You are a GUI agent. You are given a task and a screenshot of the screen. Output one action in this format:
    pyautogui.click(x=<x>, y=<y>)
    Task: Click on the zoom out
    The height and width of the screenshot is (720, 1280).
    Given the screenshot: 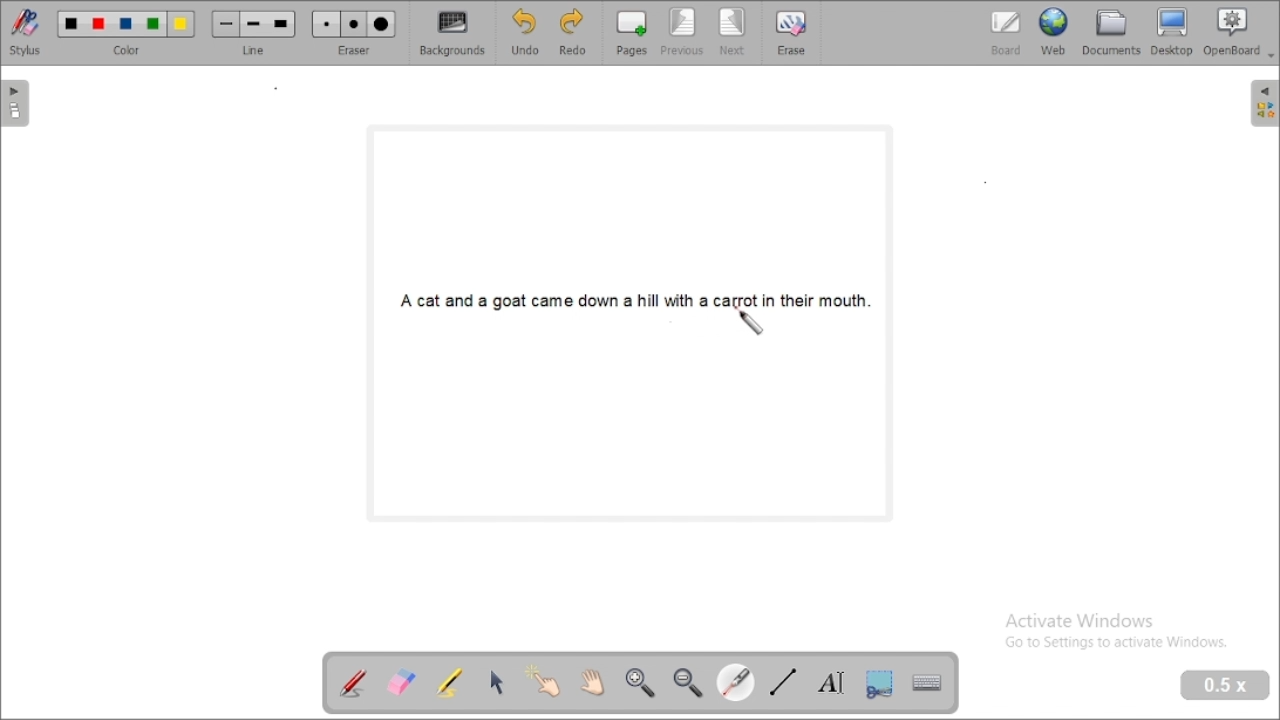 What is the action you would take?
    pyautogui.click(x=688, y=684)
    